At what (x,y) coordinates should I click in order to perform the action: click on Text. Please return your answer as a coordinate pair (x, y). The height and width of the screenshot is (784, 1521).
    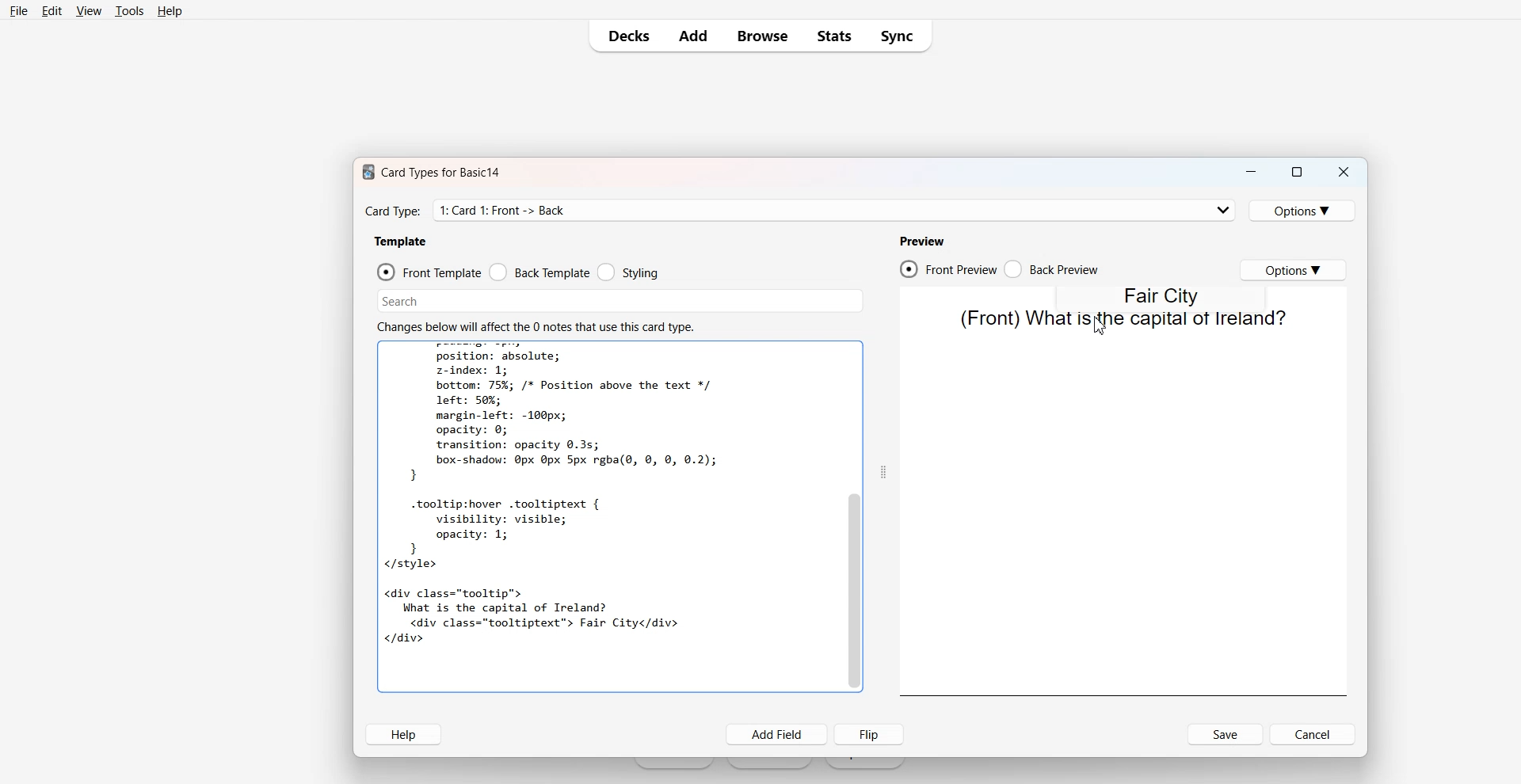
    Looking at the image, I should click on (1121, 320).